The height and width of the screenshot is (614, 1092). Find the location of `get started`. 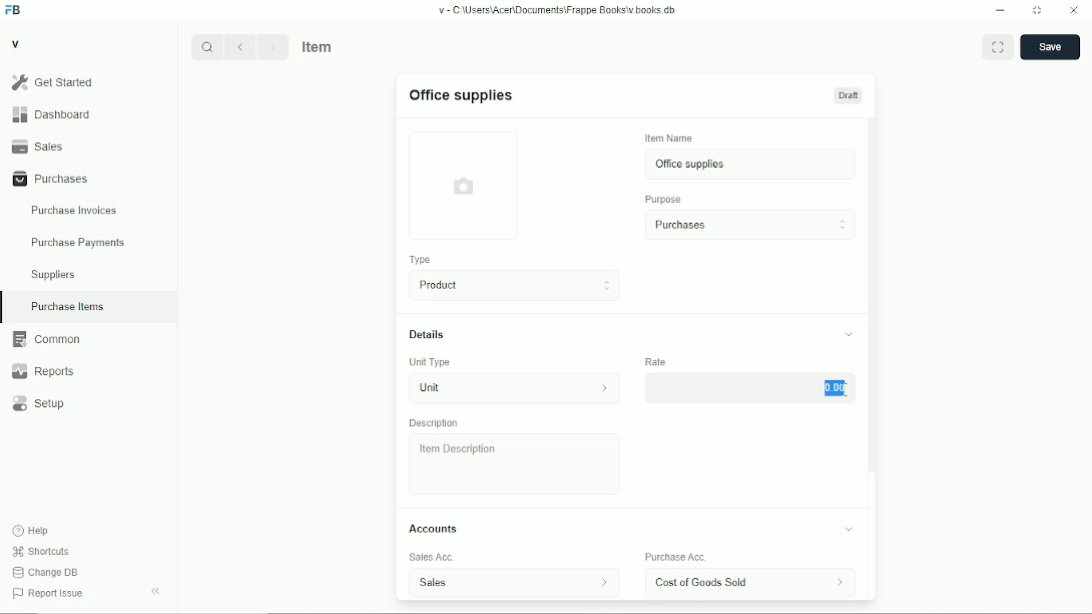

get started is located at coordinates (53, 82).